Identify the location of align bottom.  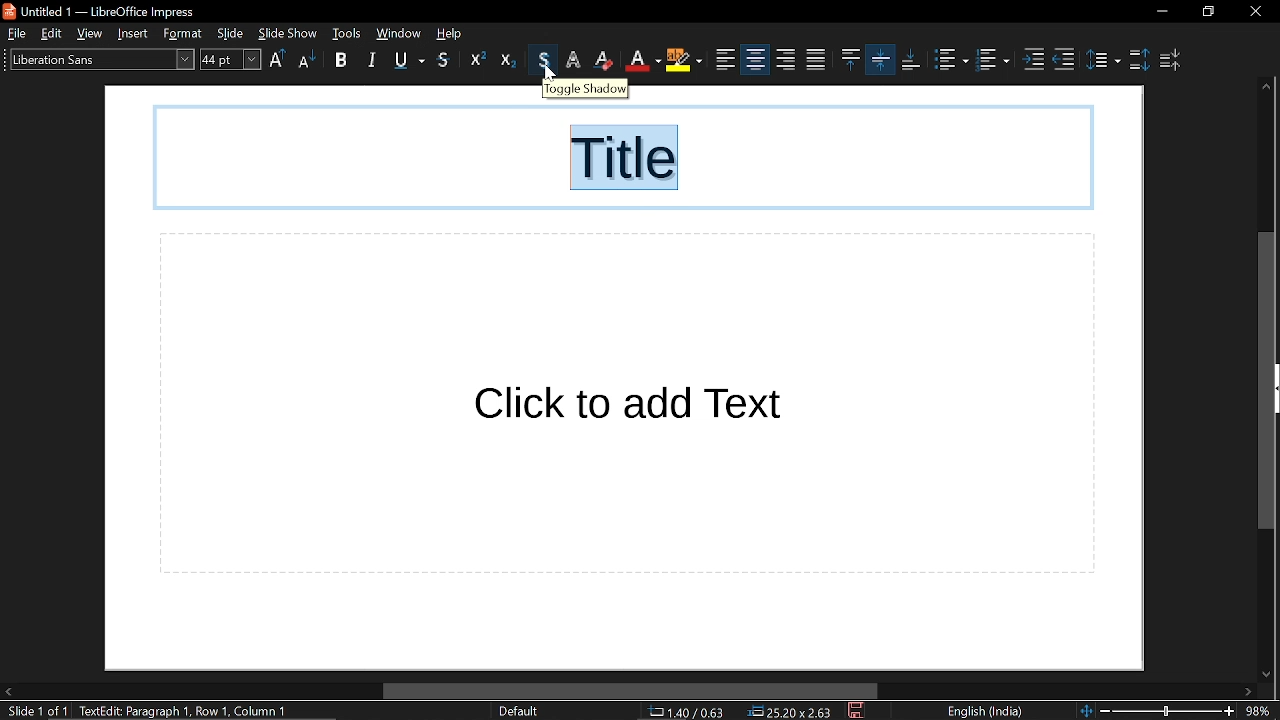
(911, 60).